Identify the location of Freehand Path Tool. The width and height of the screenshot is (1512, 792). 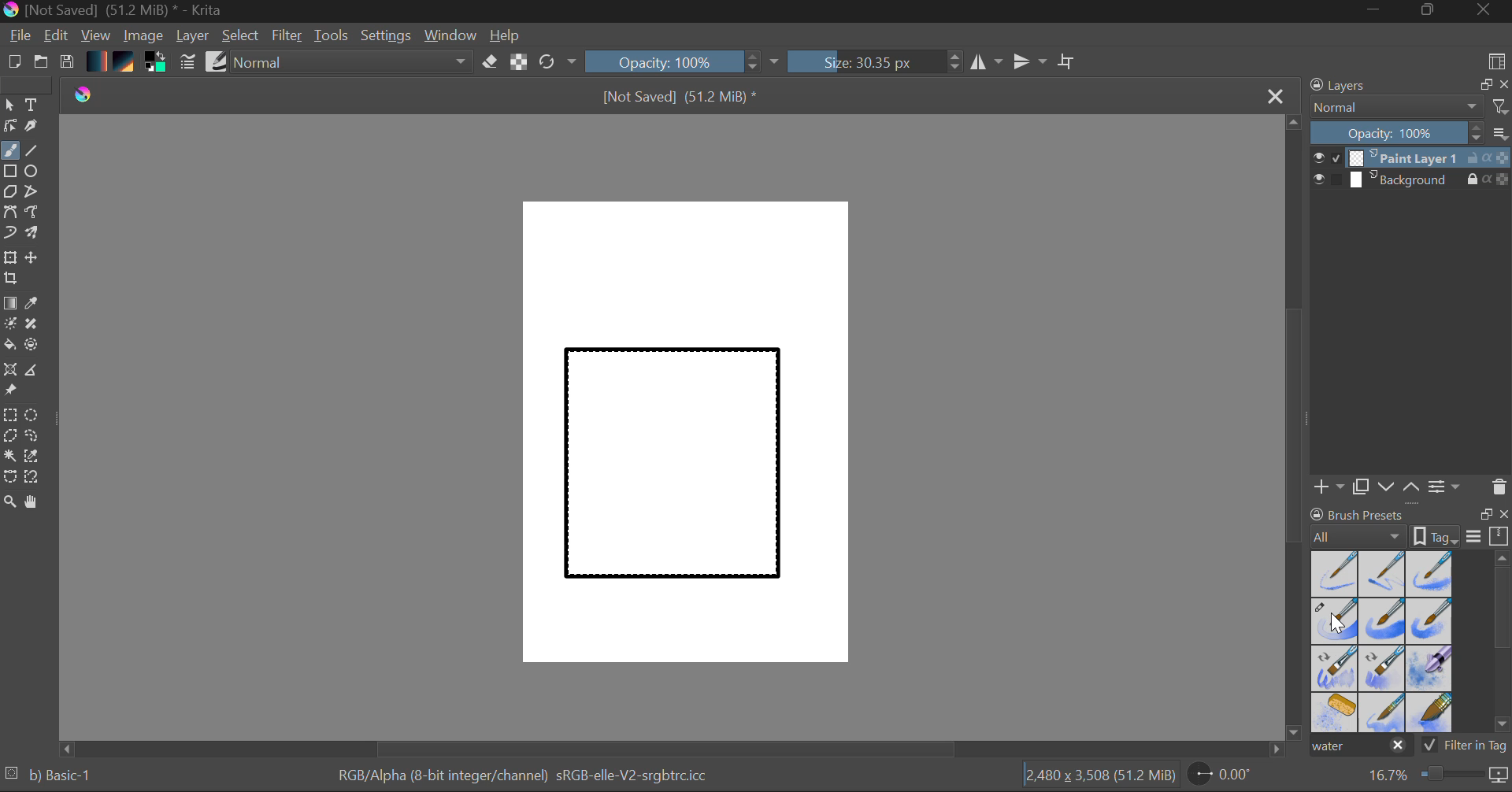
(31, 213).